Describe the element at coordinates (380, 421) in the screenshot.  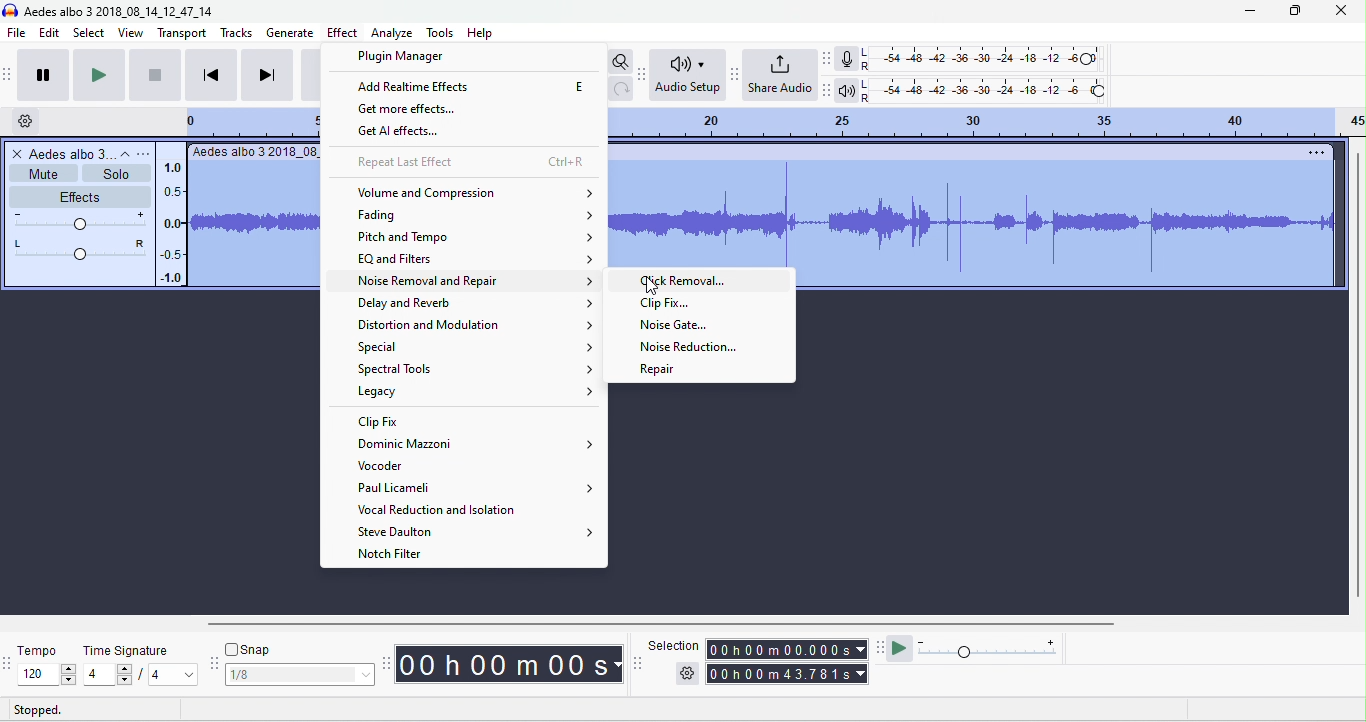
I see `clip fix` at that location.